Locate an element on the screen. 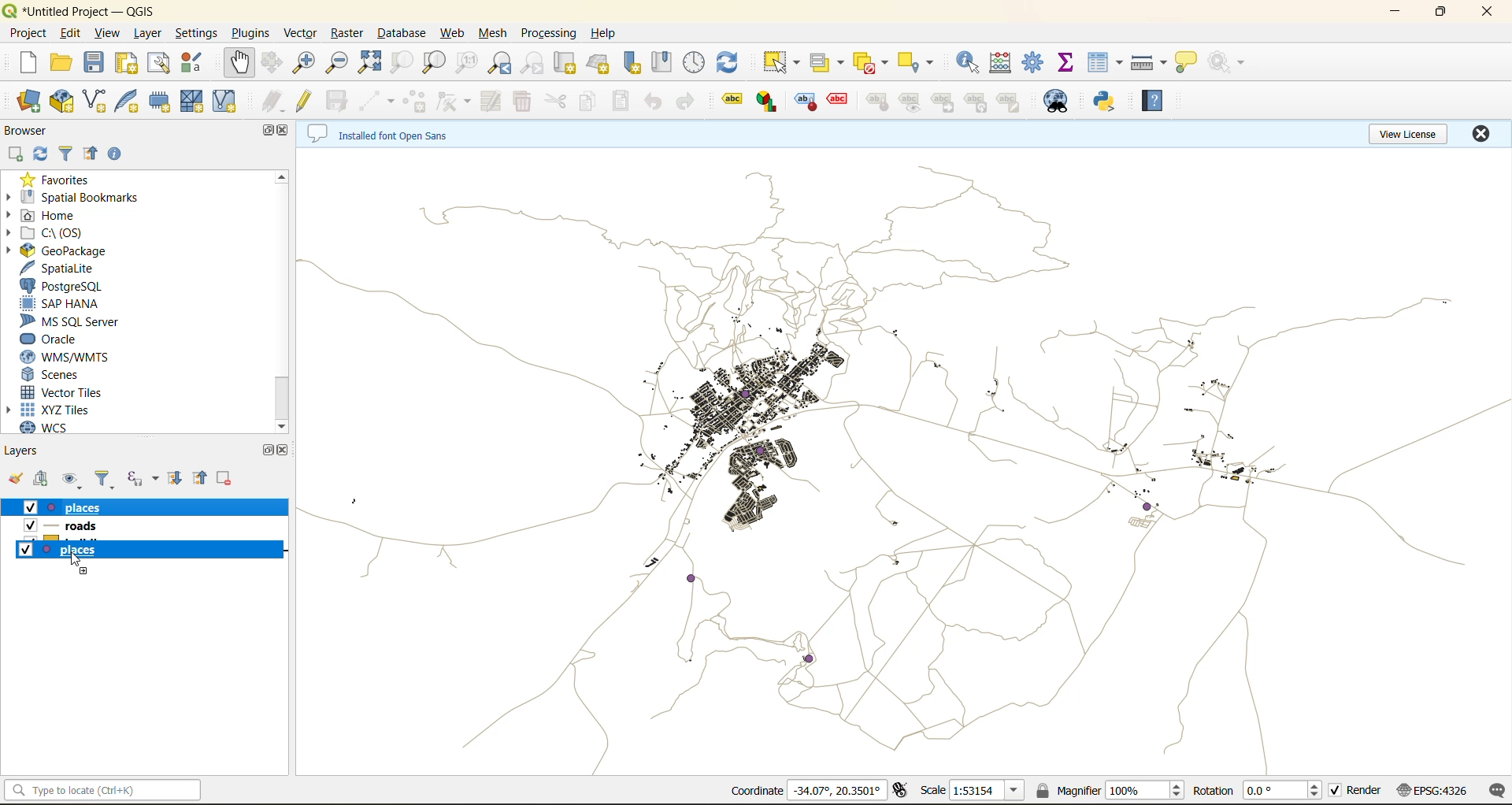  filter by expression is located at coordinates (142, 479).